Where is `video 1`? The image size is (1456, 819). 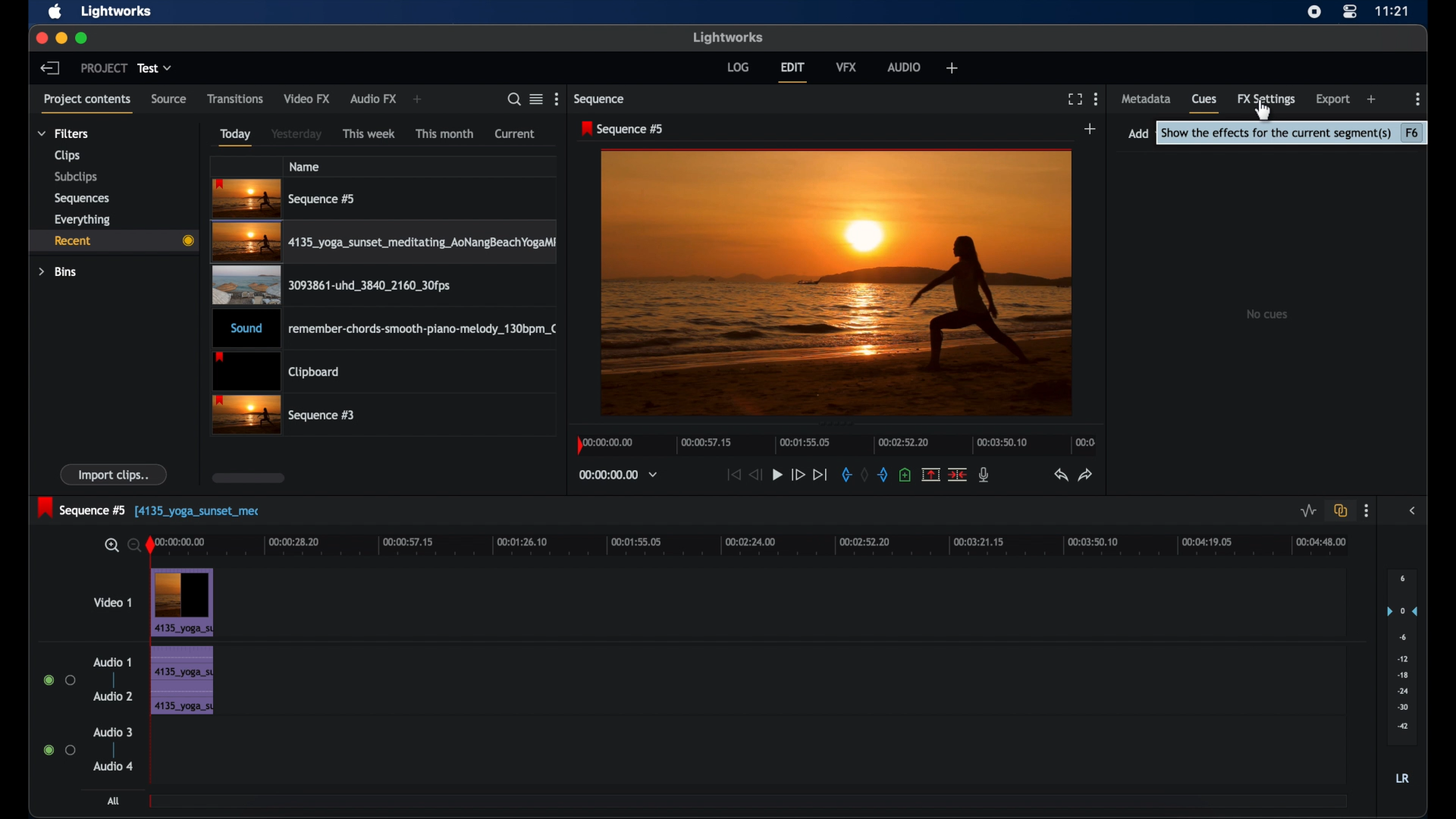 video 1 is located at coordinates (114, 602).